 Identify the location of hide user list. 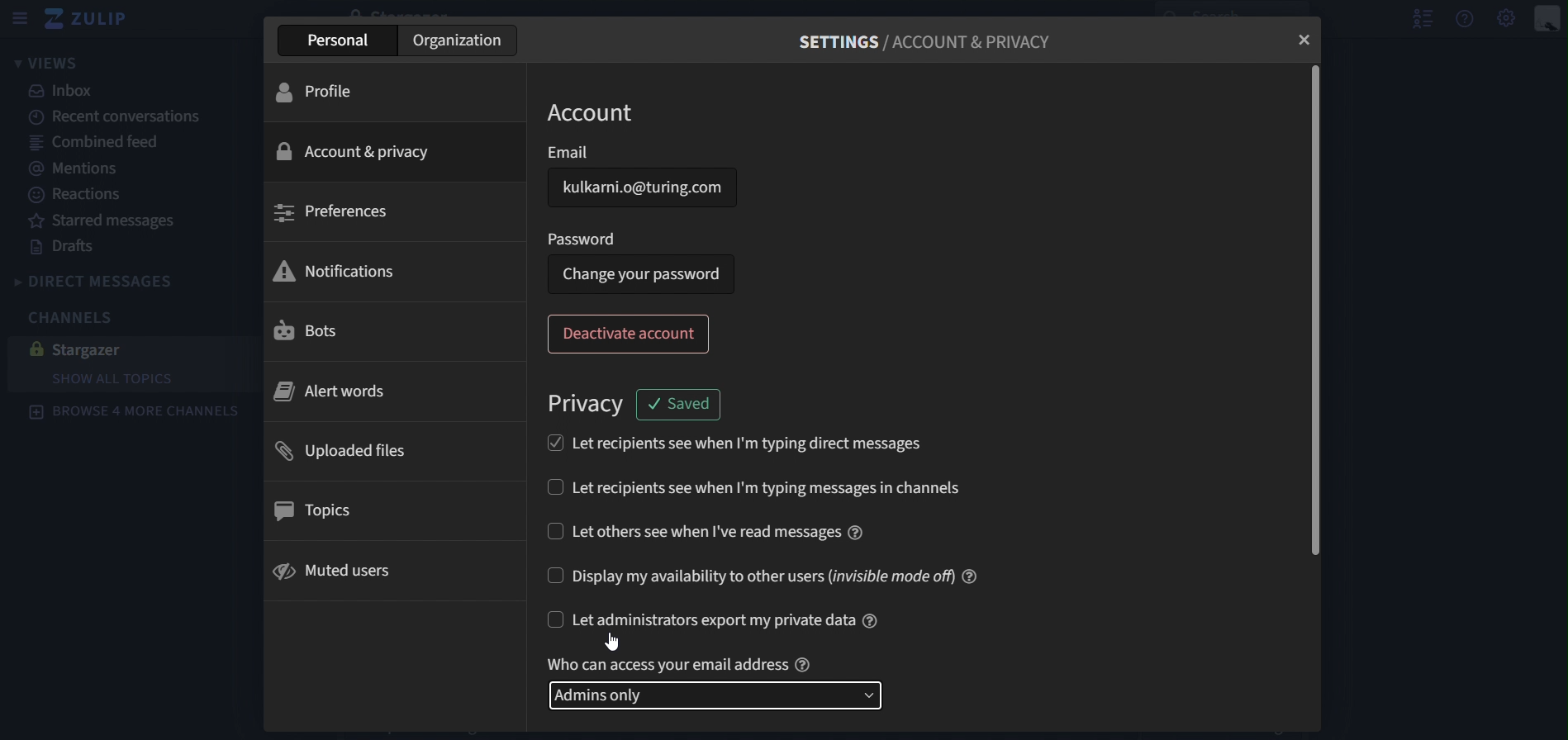
(1417, 19).